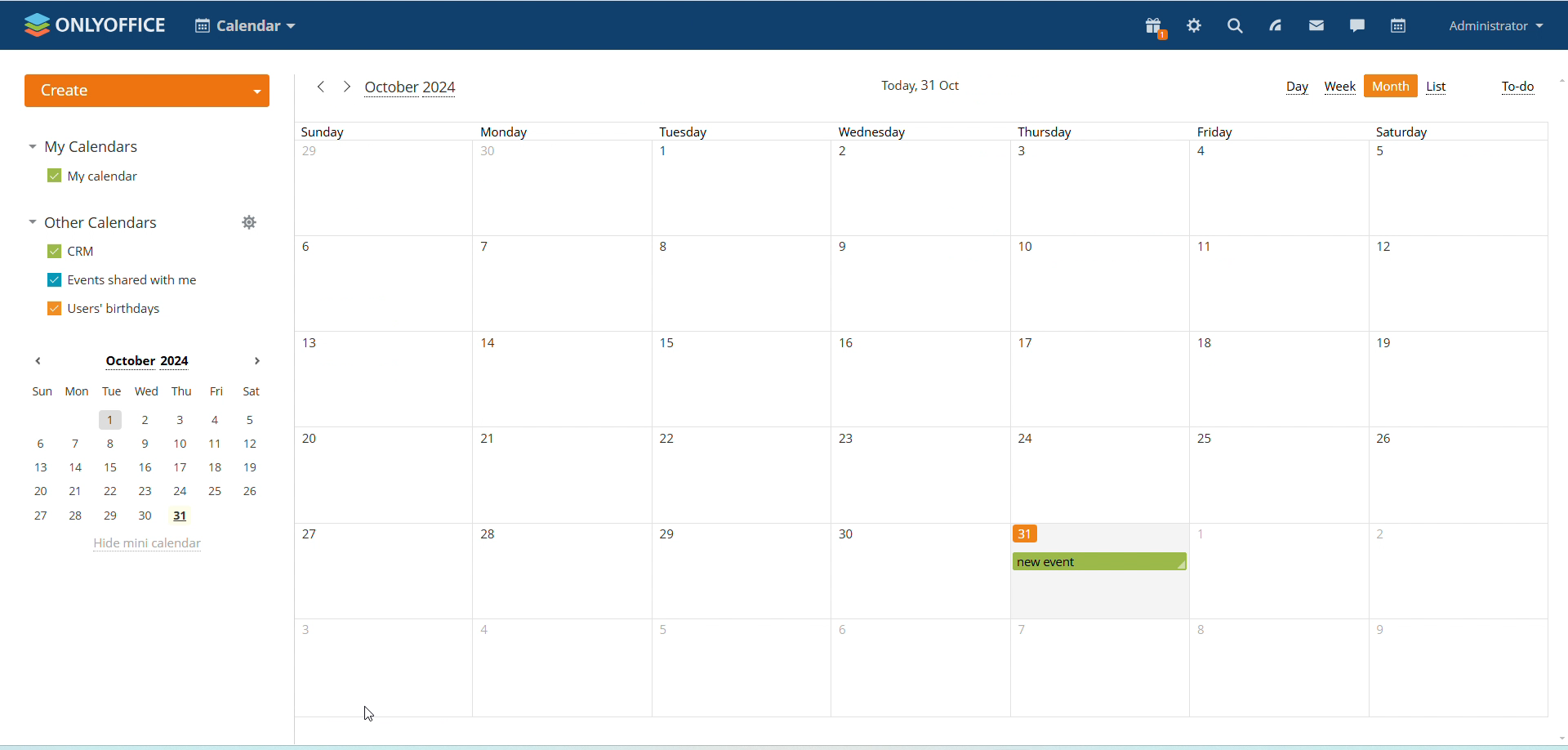 The image size is (1568, 750). What do you see at coordinates (87, 145) in the screenshot?
I see `my calendars` at bounding box center [87, 145].